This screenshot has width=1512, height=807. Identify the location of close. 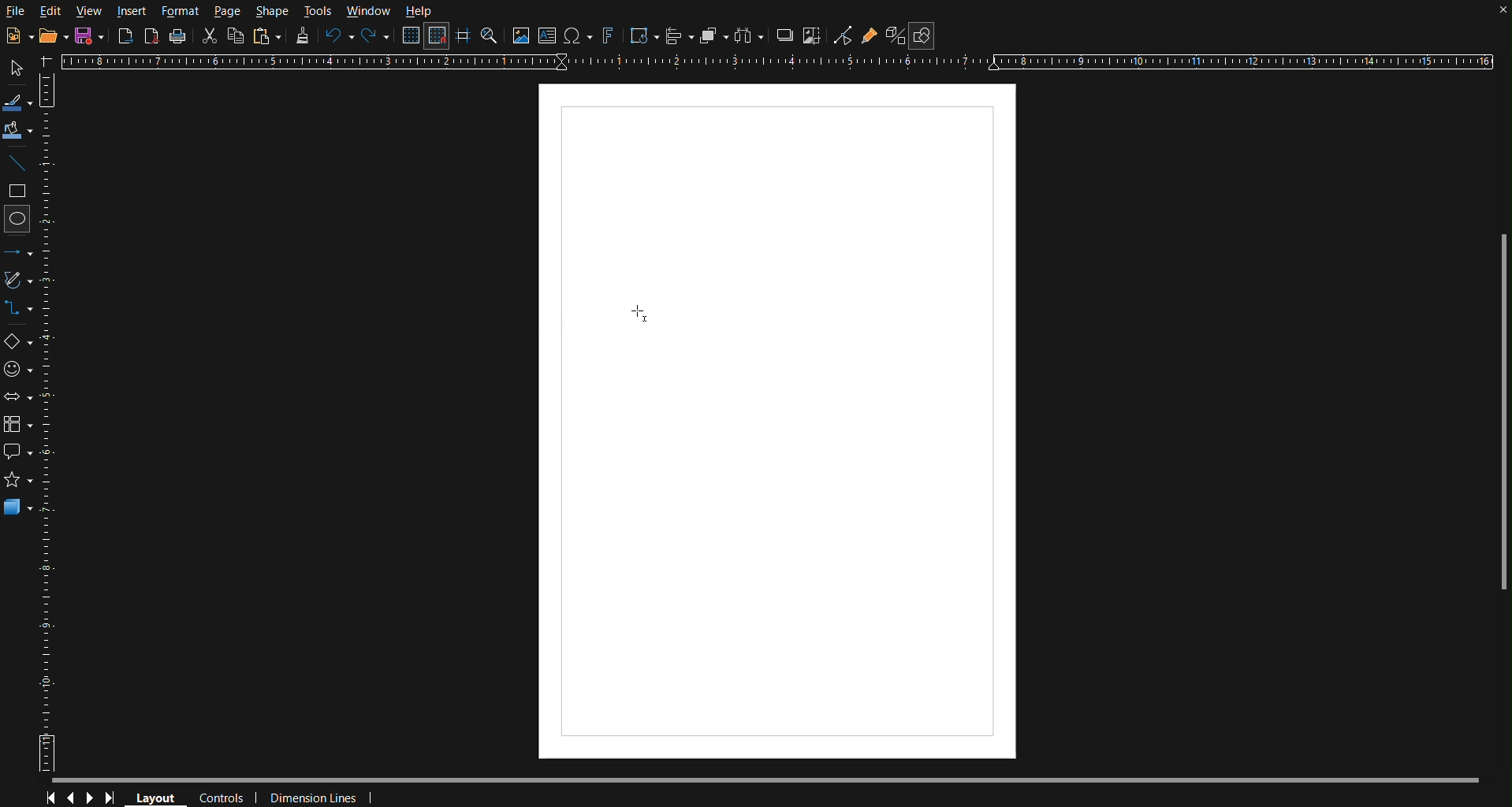
(1497, 13).